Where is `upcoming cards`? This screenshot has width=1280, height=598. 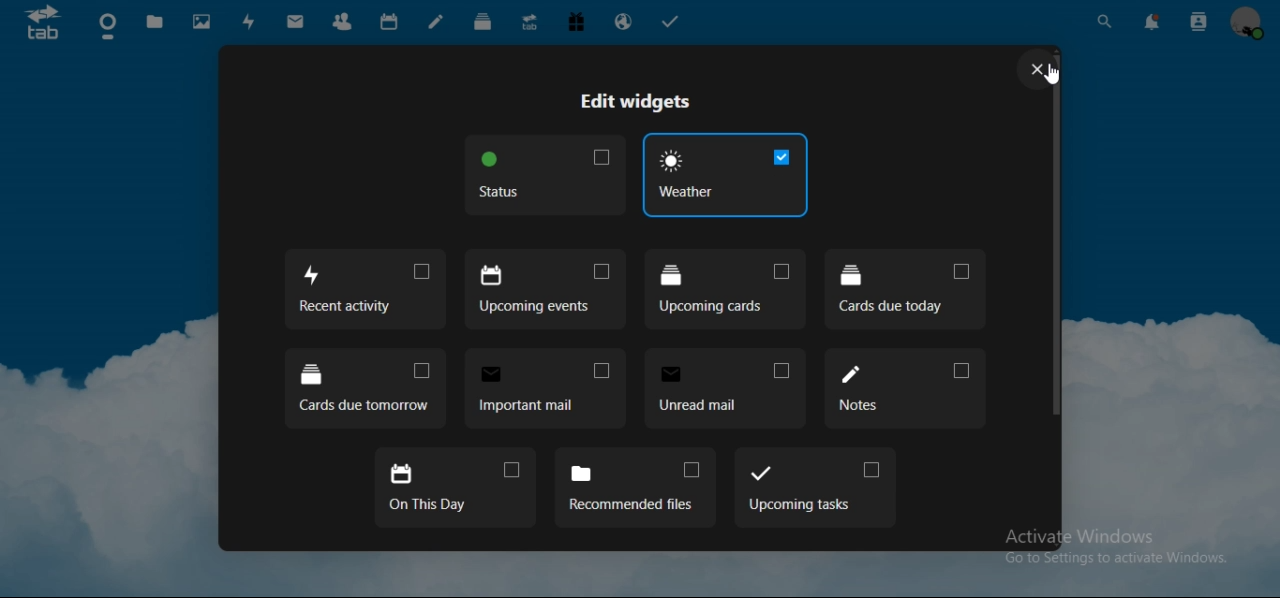 upcoming cards is located at coordinates (725, 288).